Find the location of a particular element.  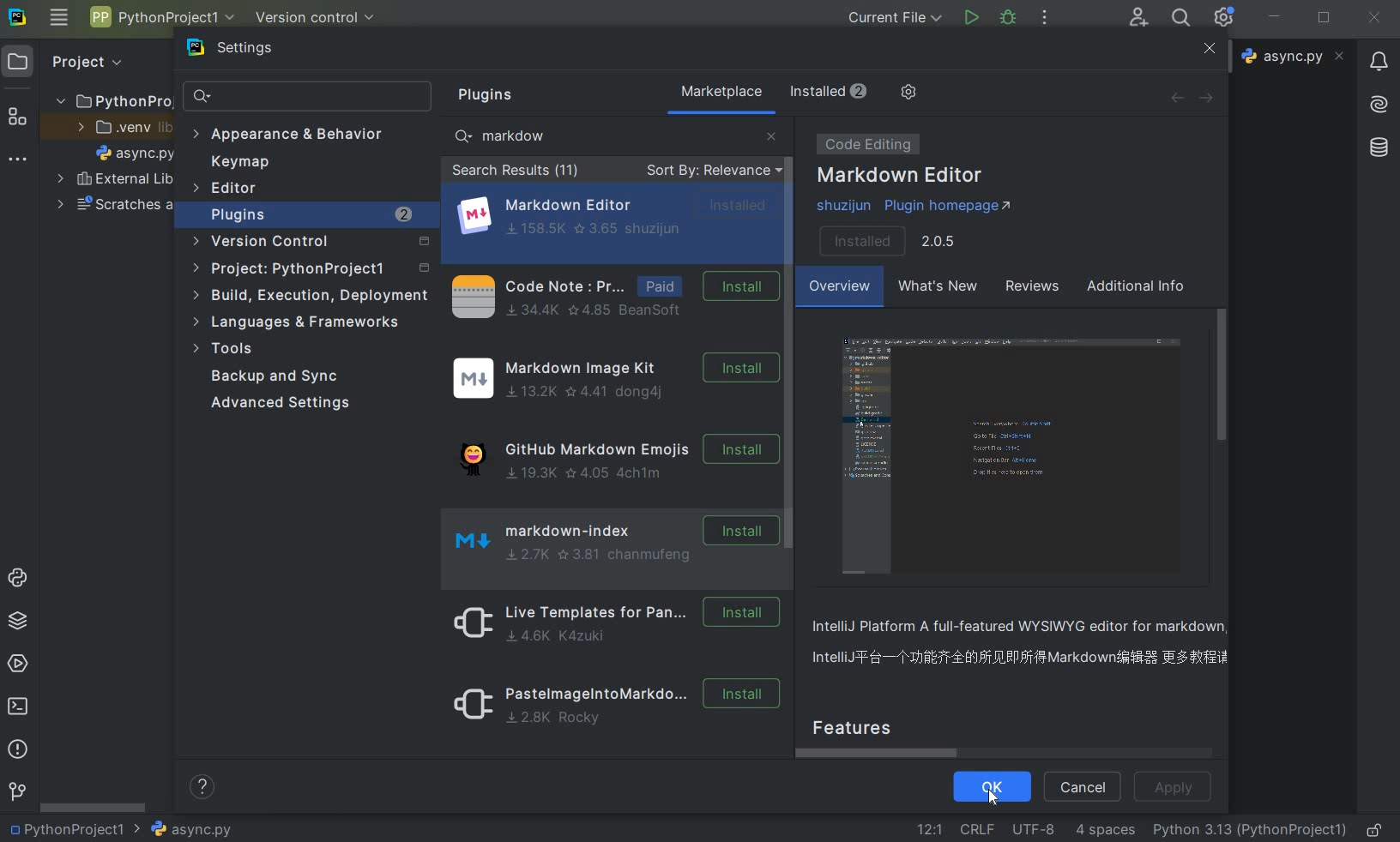

scrollbar is located at coordinates (94, 806).